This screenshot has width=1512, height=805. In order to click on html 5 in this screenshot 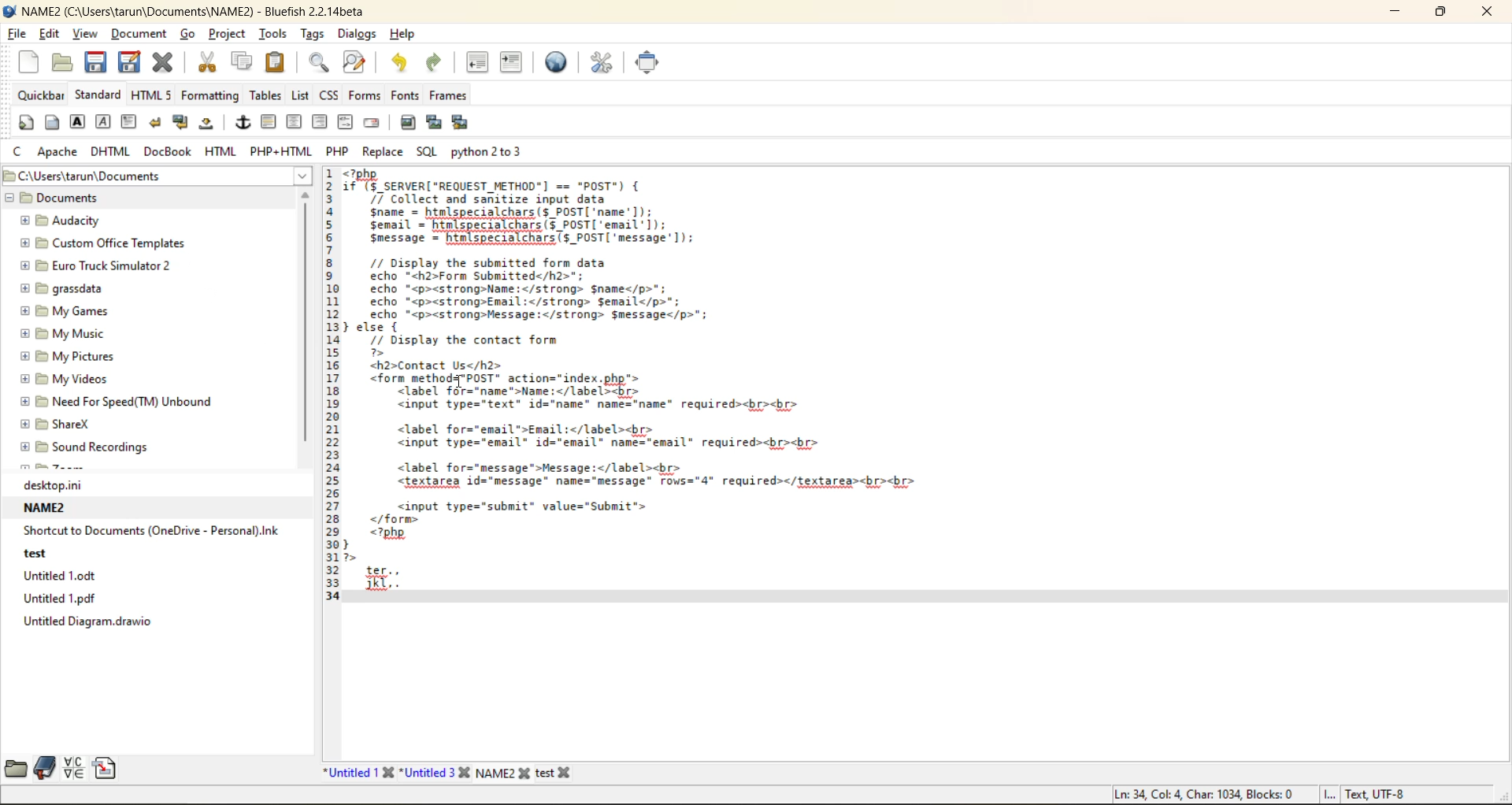, I will do `click(152, 97)`.